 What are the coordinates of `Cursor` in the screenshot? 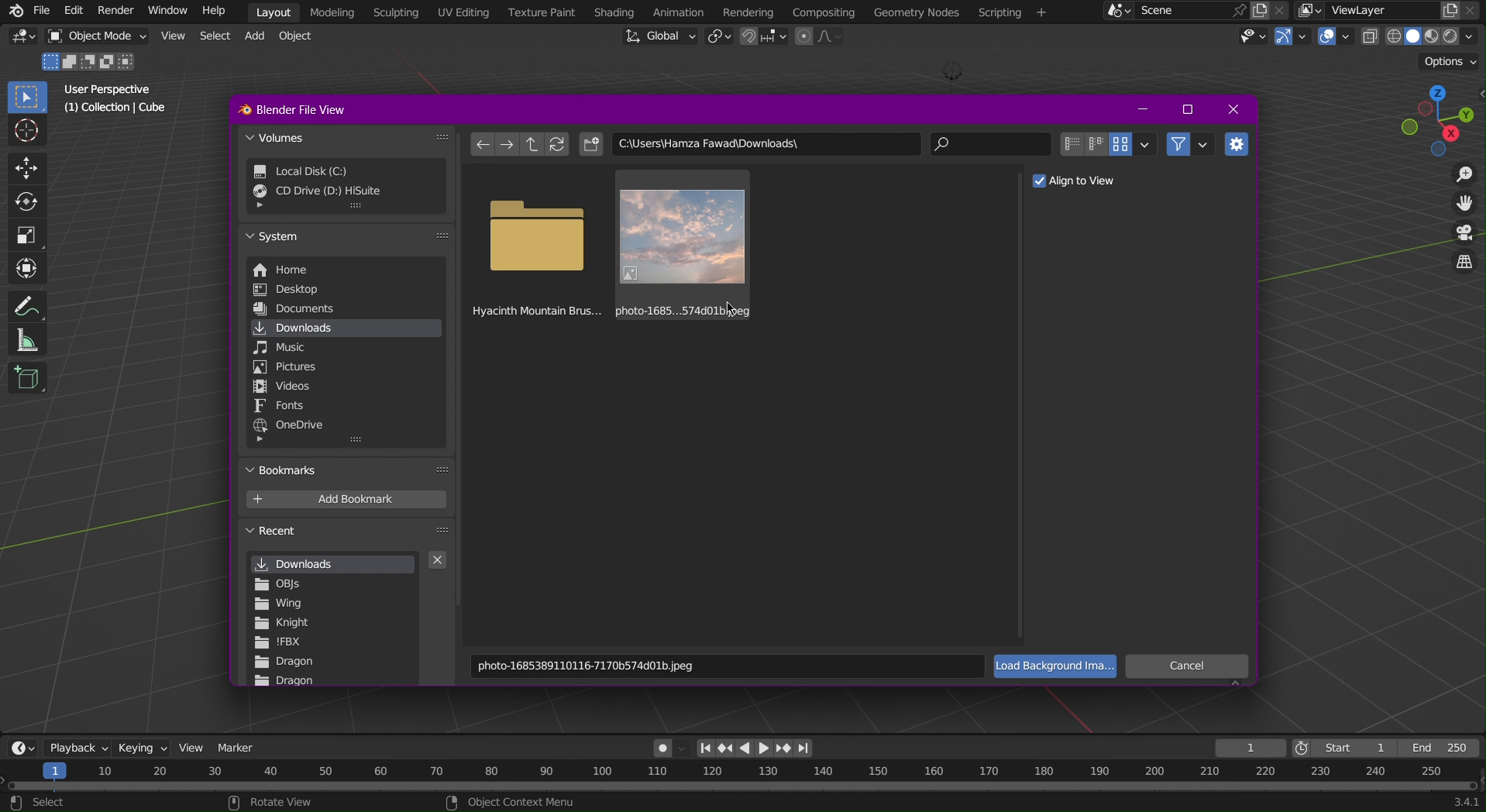 It's located at (25, 133).